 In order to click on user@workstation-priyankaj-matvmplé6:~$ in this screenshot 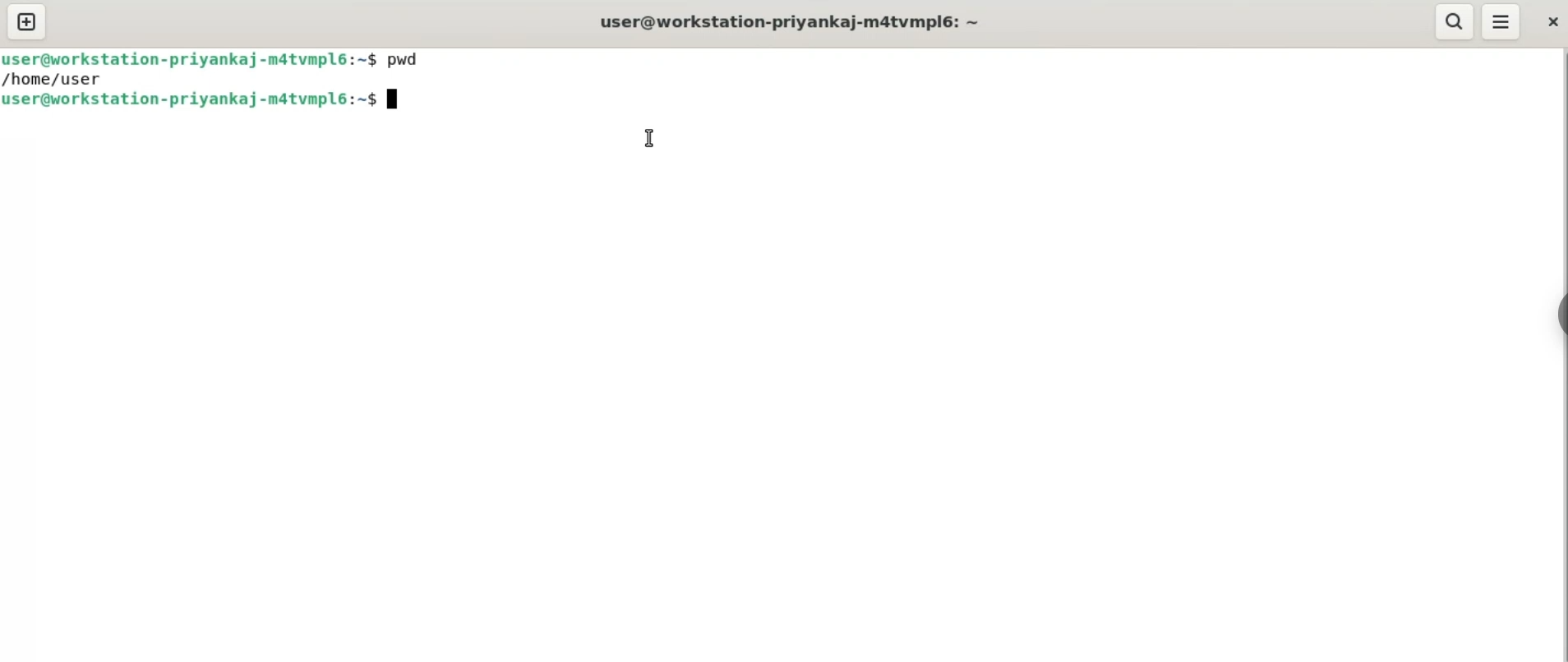, I will do `click(194, 100)`.